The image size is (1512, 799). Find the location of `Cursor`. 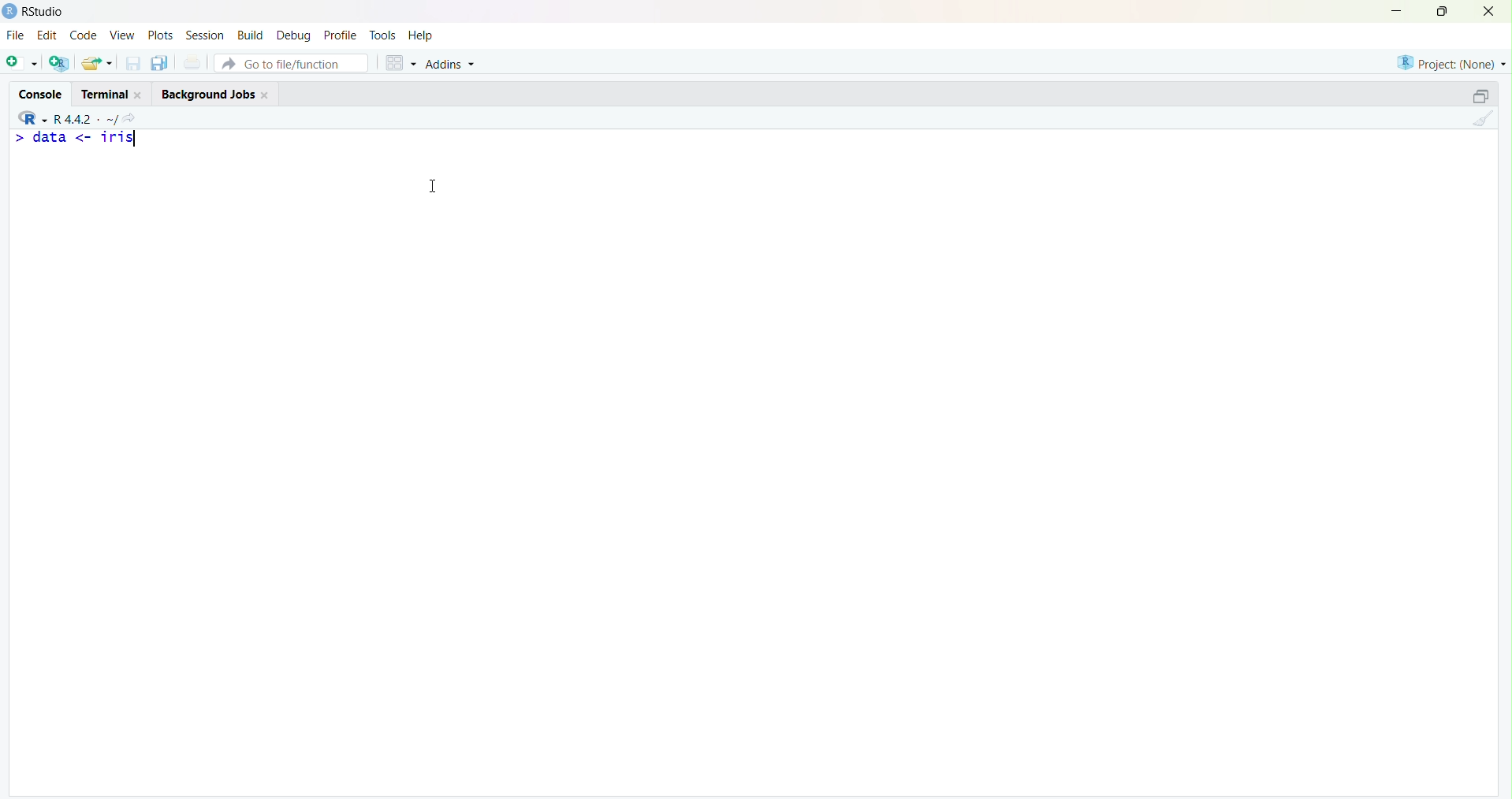

Cursor is located at coordinates (440, 186).